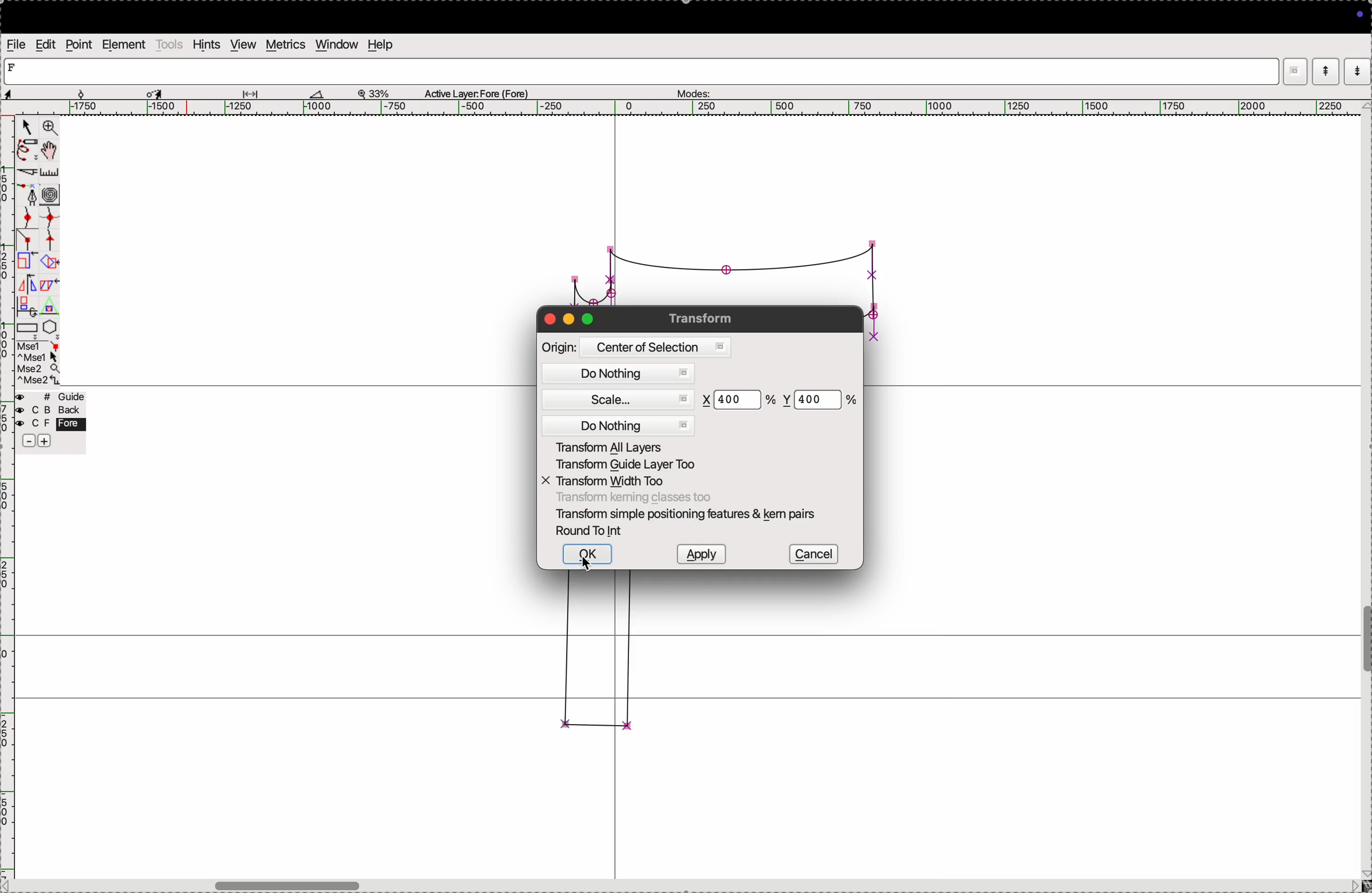  Describe the element at coordinates (1295, 73) in the screenshot. I see `window mode` at that location.